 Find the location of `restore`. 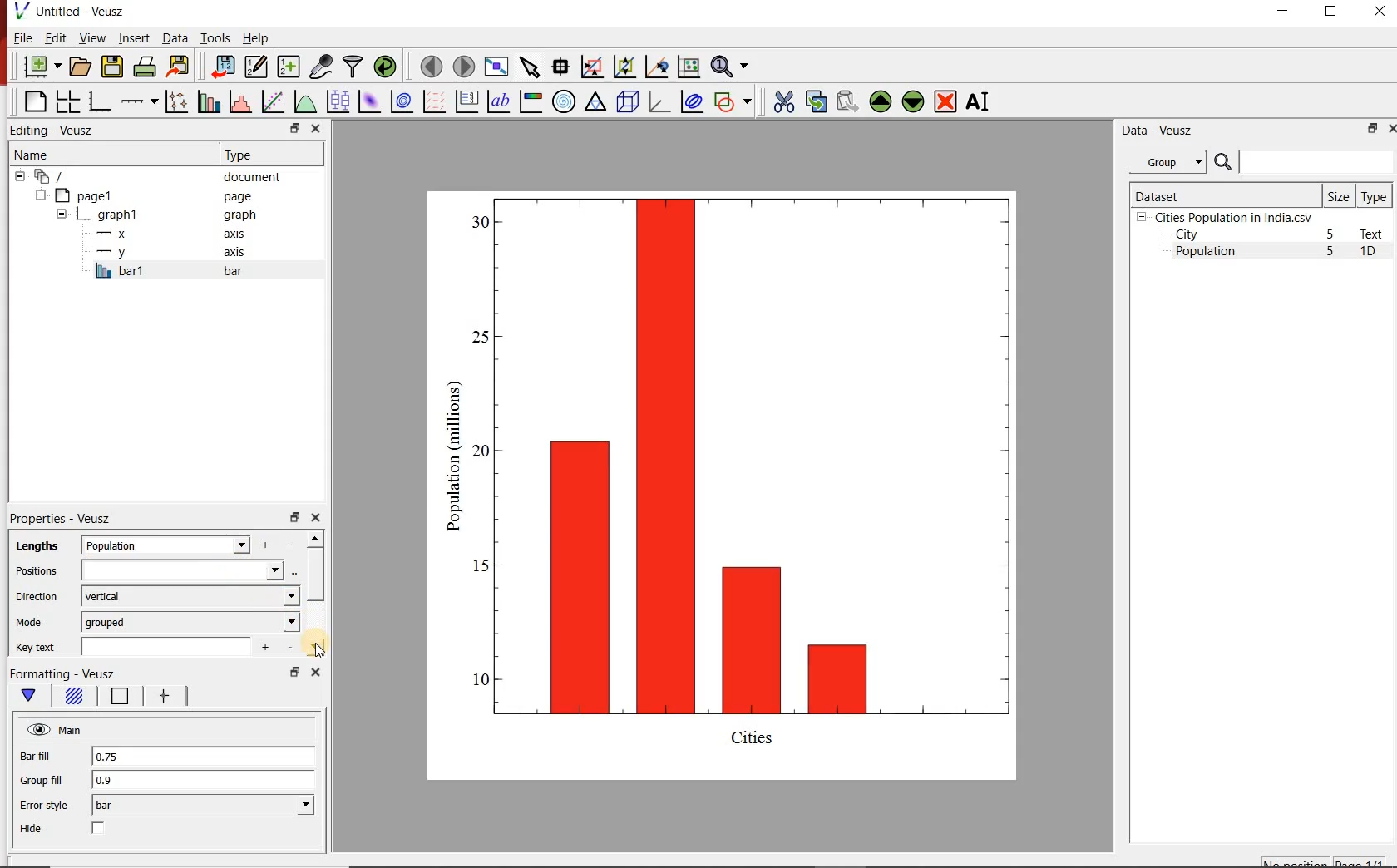

restore is located at coordinates (294, 672).